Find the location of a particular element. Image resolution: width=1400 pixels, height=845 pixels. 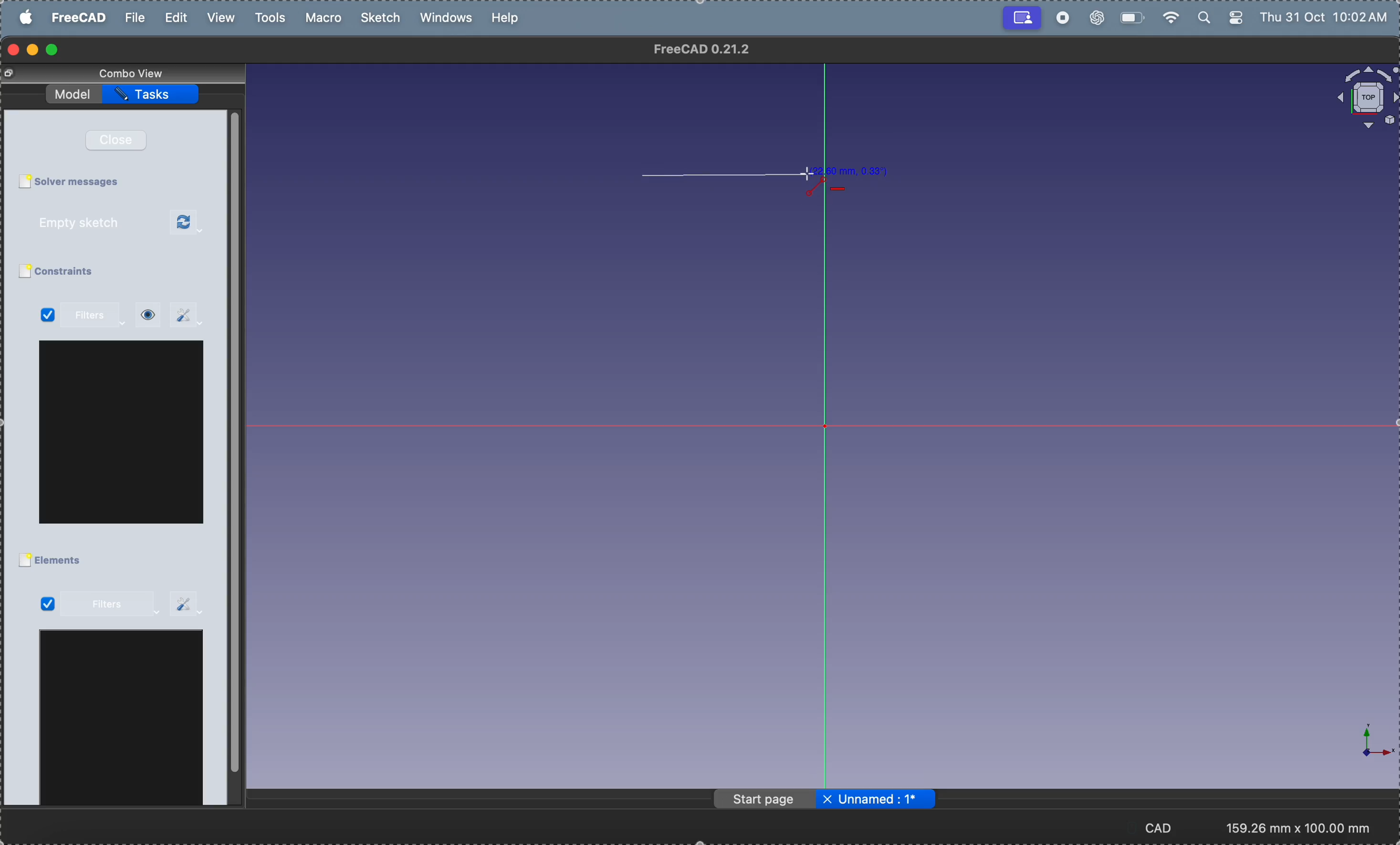

help is located at coordinates (507, 17).